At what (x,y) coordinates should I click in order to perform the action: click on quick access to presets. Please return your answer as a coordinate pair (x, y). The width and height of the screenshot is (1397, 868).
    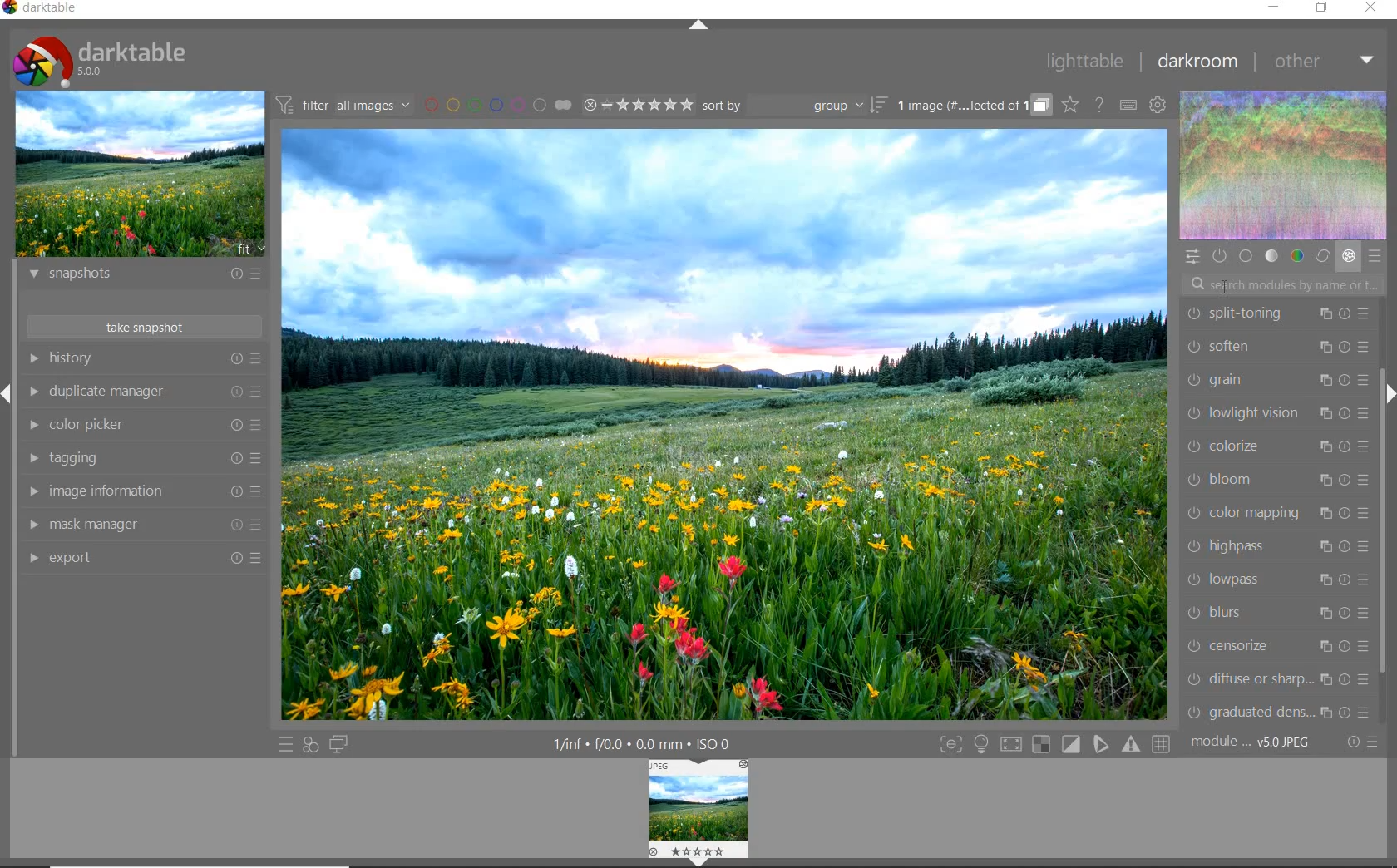
    Looking at the image, I should click on (287, 745).